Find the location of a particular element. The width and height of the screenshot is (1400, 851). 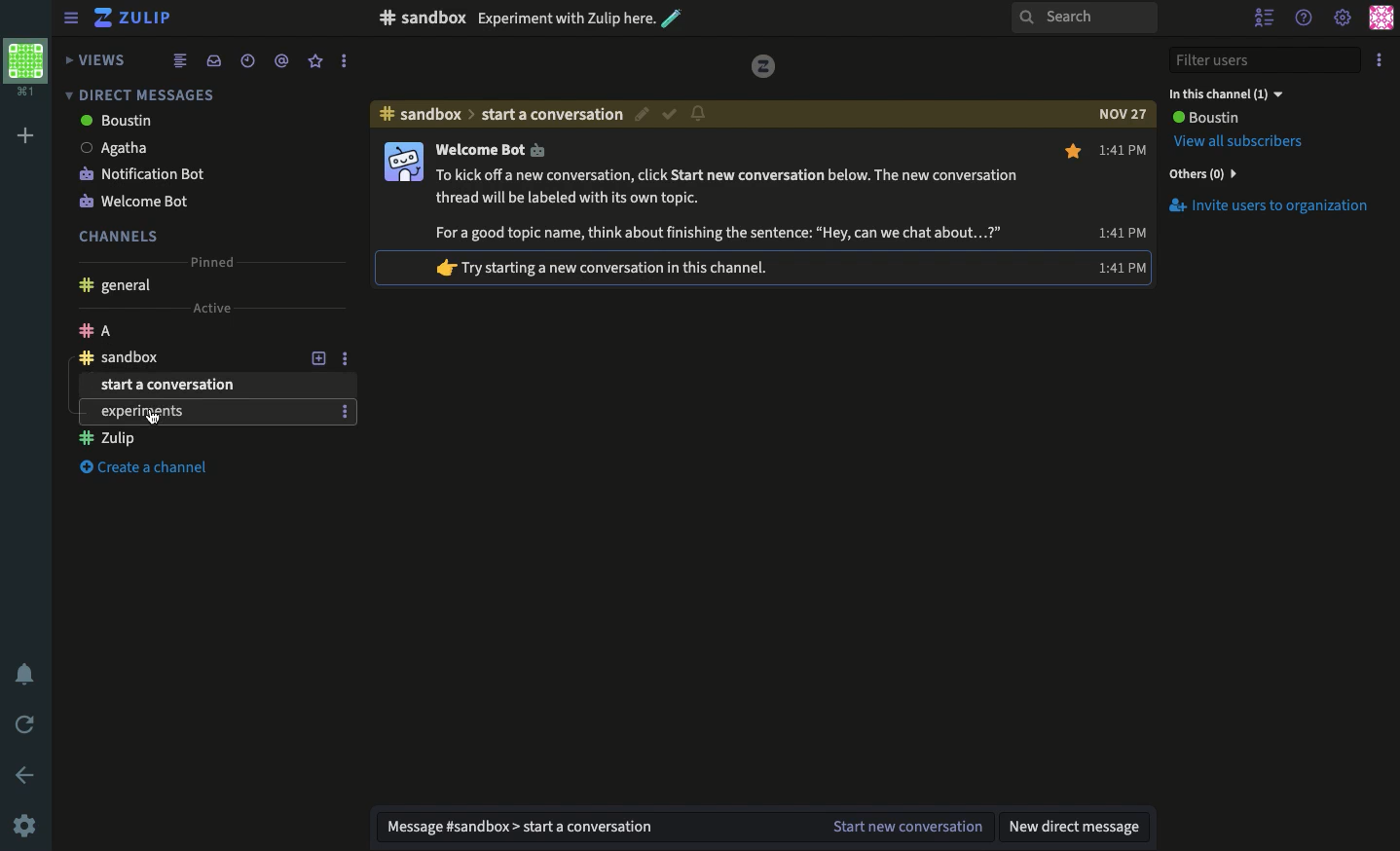

Time is located at coordinates (1124, 147).